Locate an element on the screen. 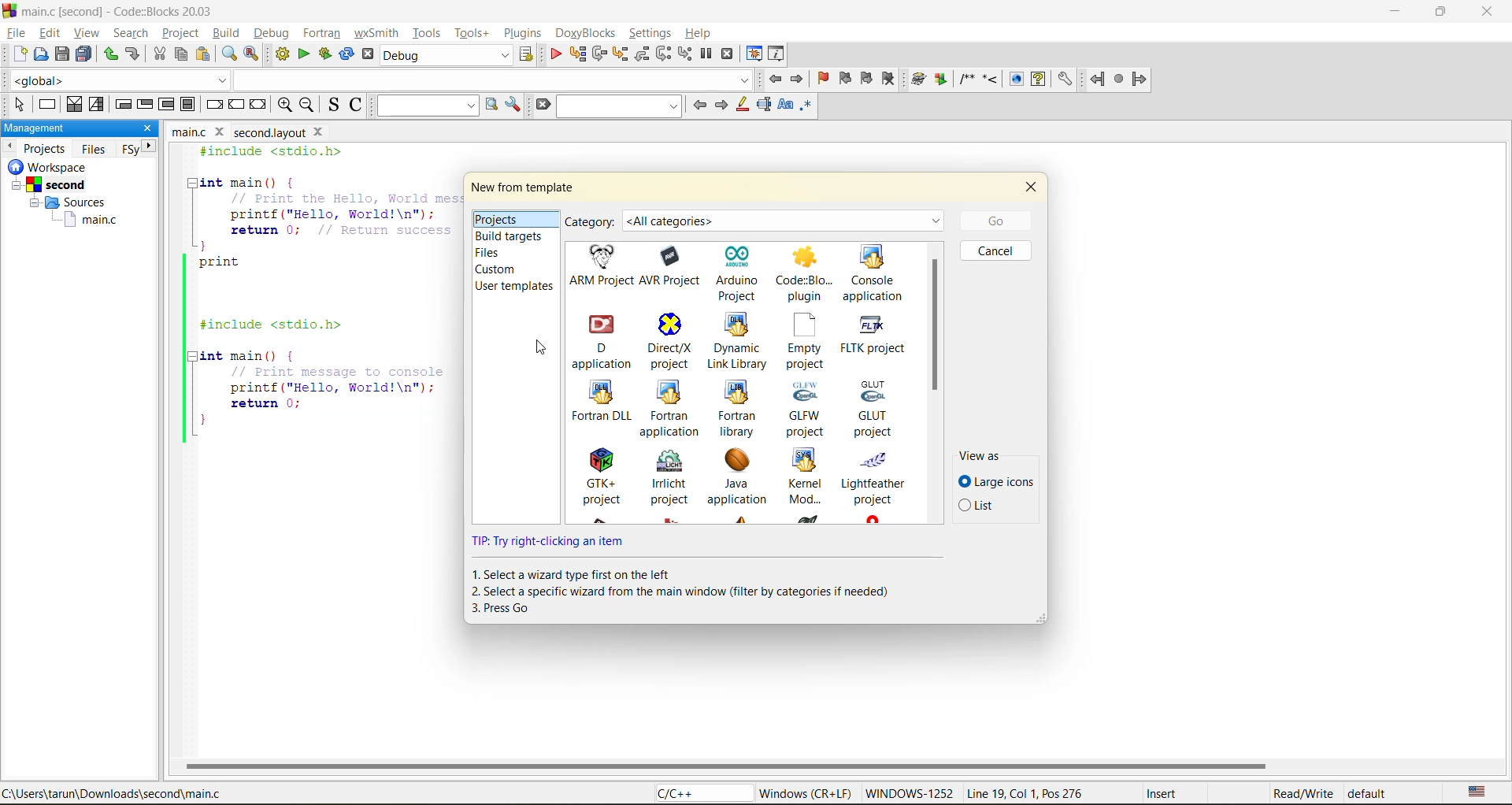  search is located at coordinates (126, 32).